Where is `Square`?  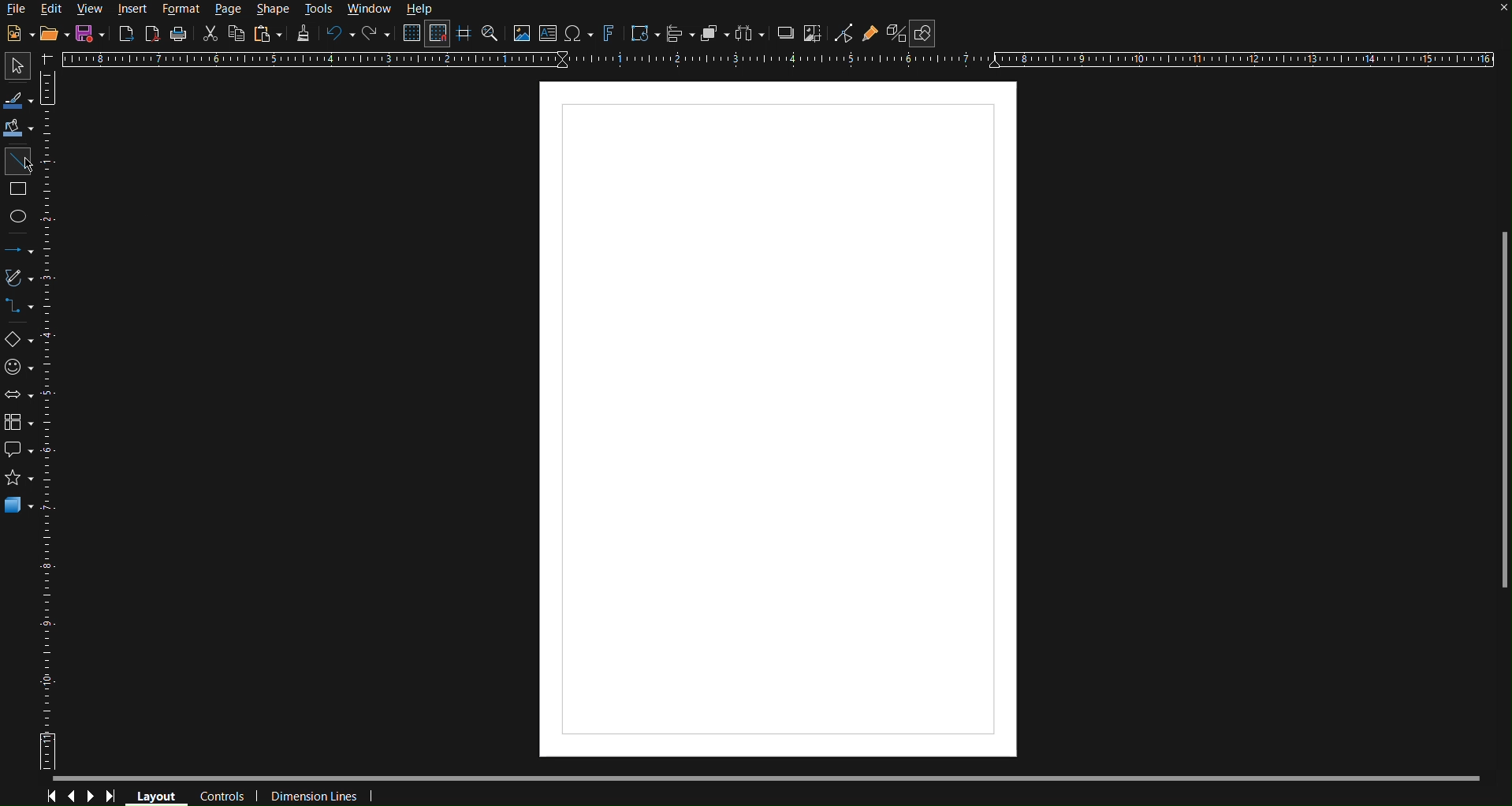 Square is located at coordinates (19, 192).